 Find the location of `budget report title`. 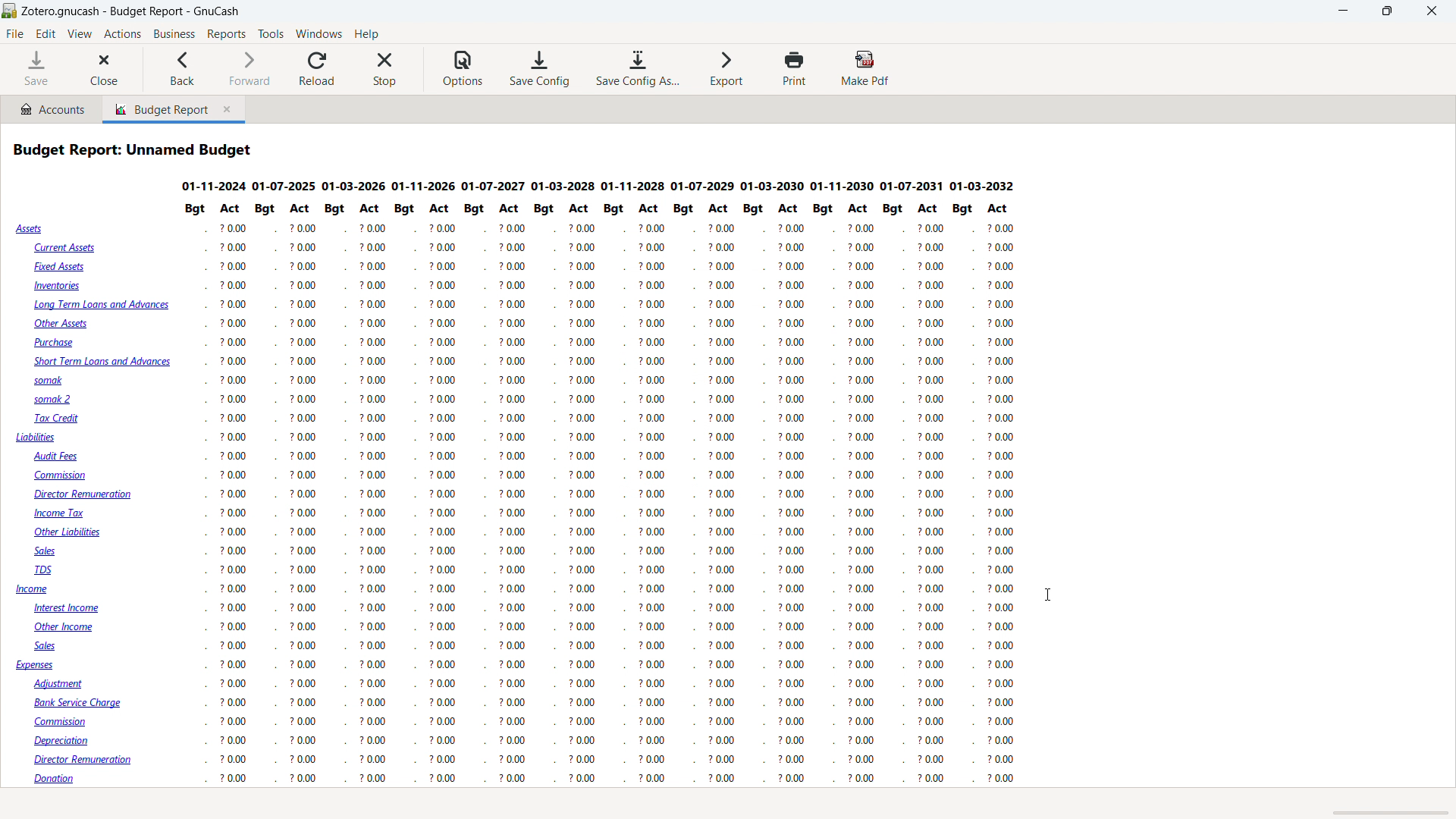

budget report title is located at coordinates (135, 149).